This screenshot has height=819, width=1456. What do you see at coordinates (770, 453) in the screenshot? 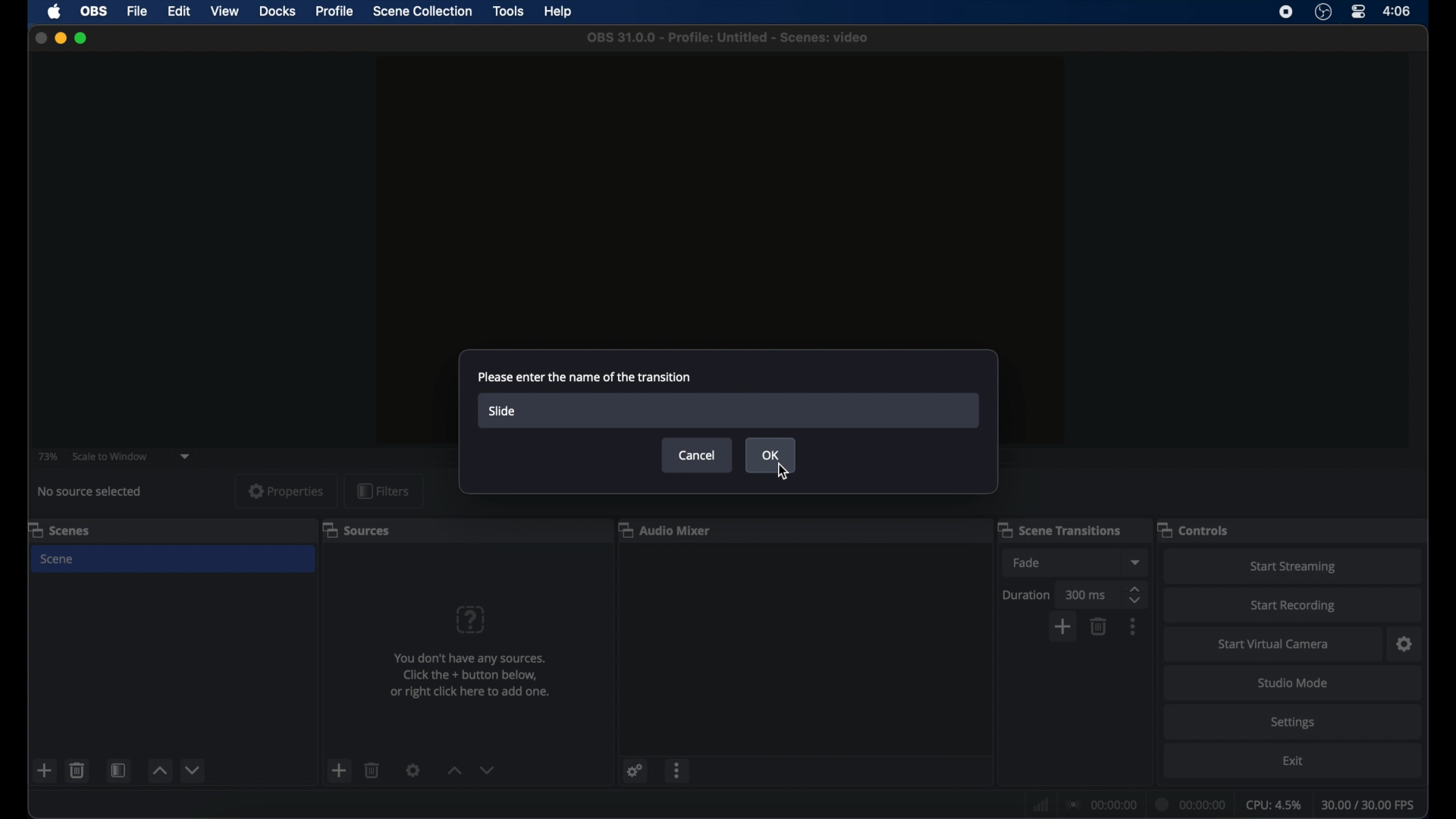
I see `ok` at bounding box center [770, 453].